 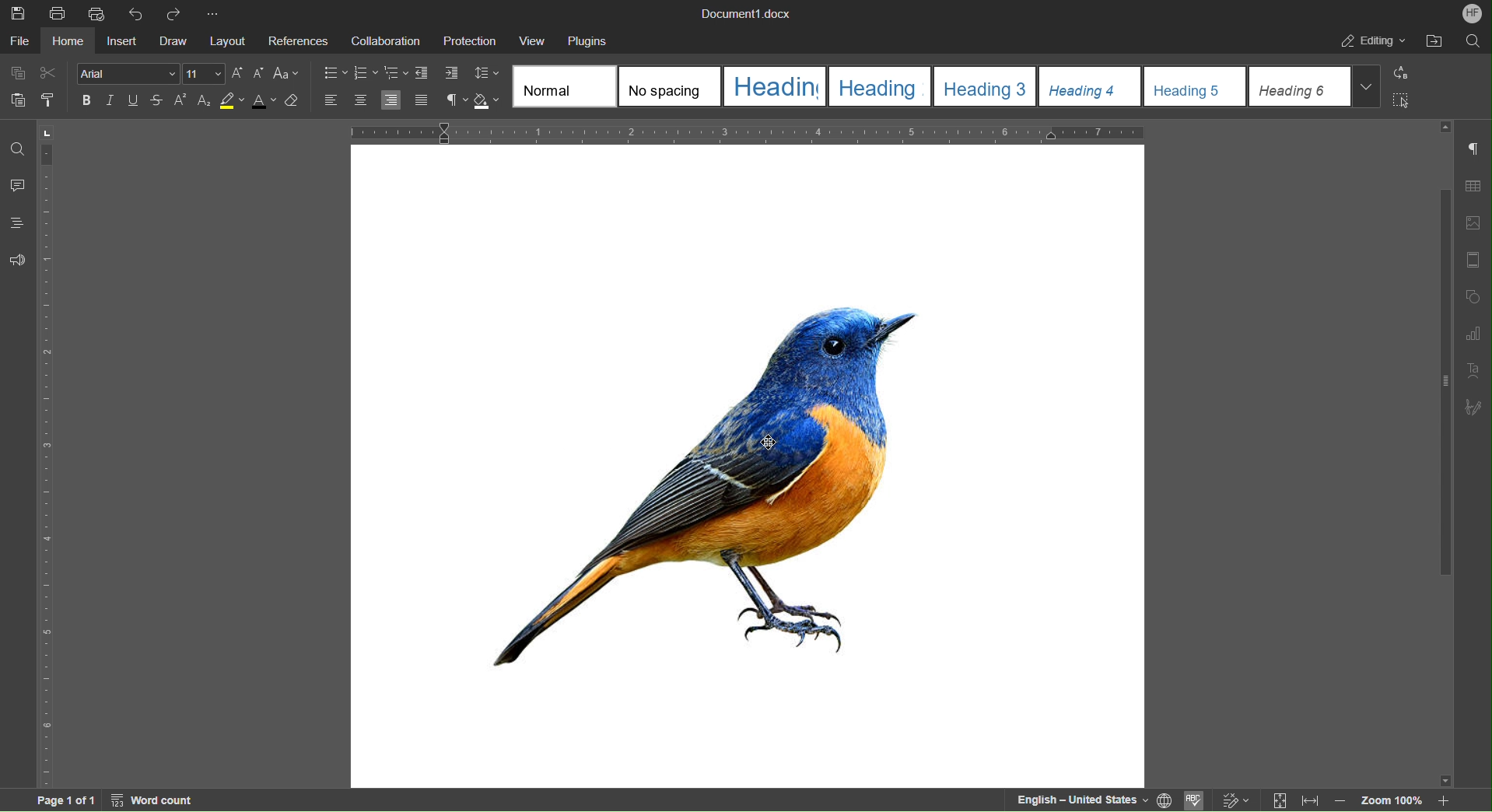 What do you see at coordinates (48, 452) in the screenshot?
I see `Vertical Ruler` at bounding box center [48, 452].